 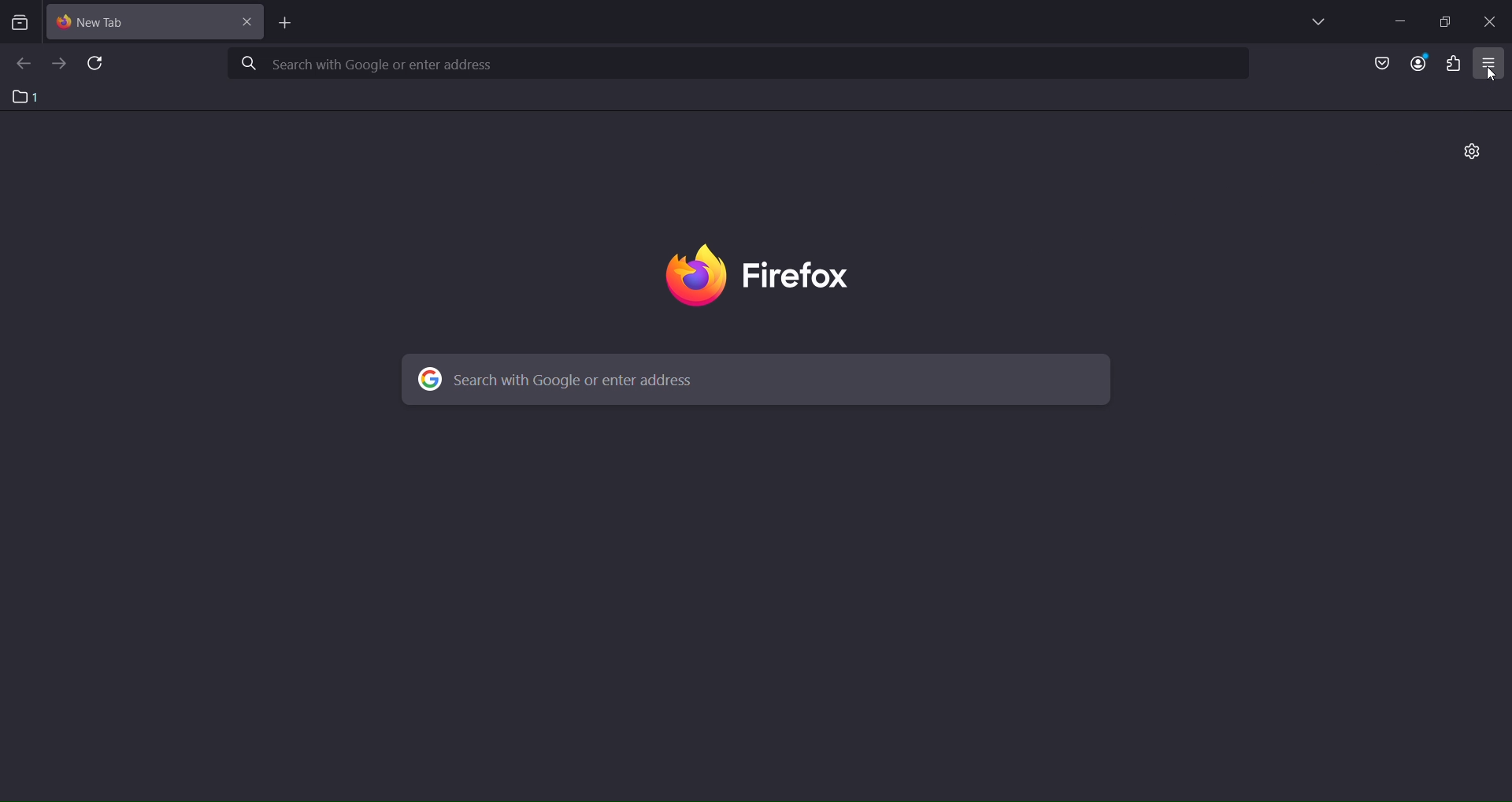 I want to click on cursor, so click(x=1492, y=76).